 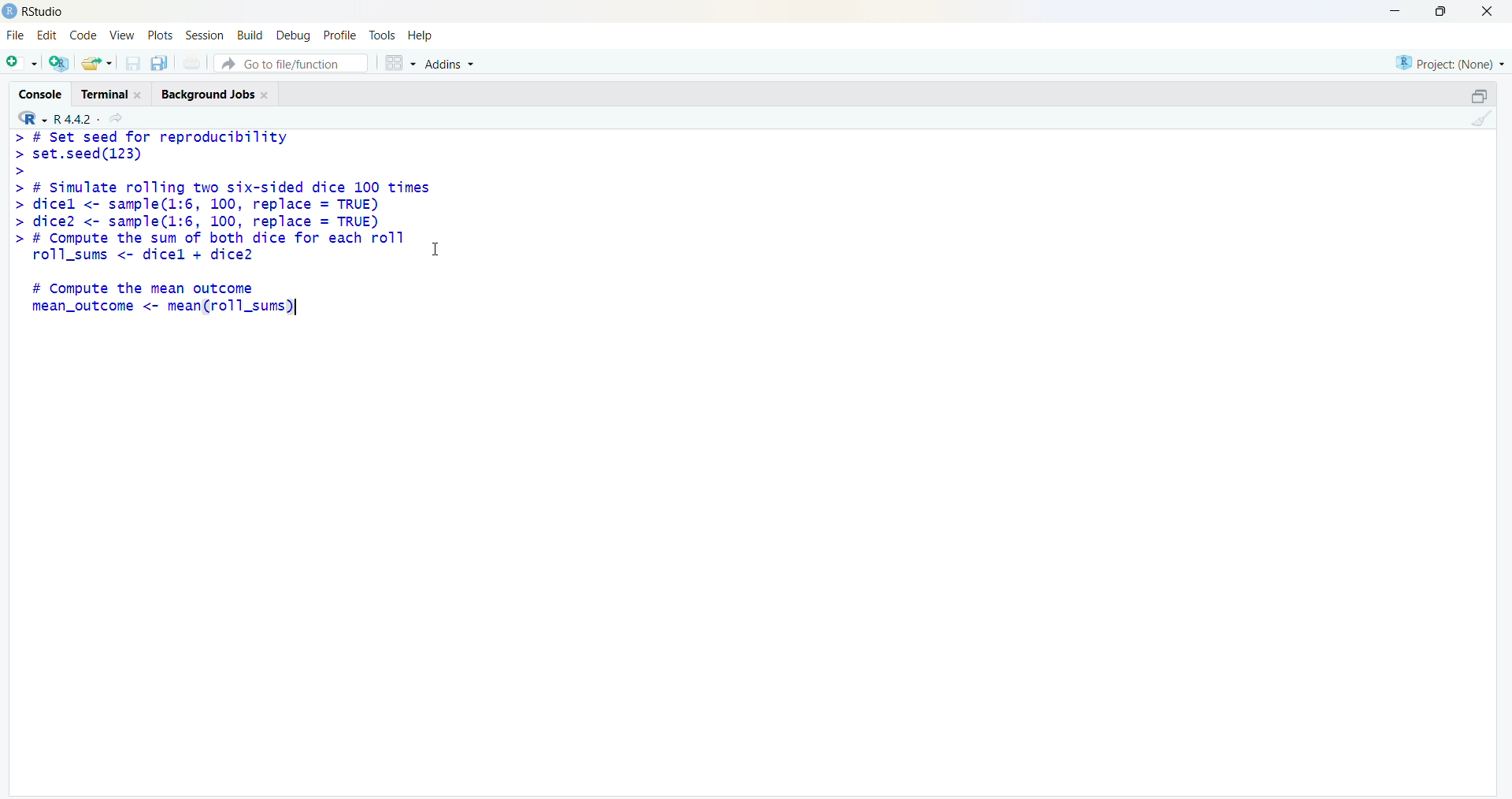 I want to click on RStudio, so click(x=46, y=13).